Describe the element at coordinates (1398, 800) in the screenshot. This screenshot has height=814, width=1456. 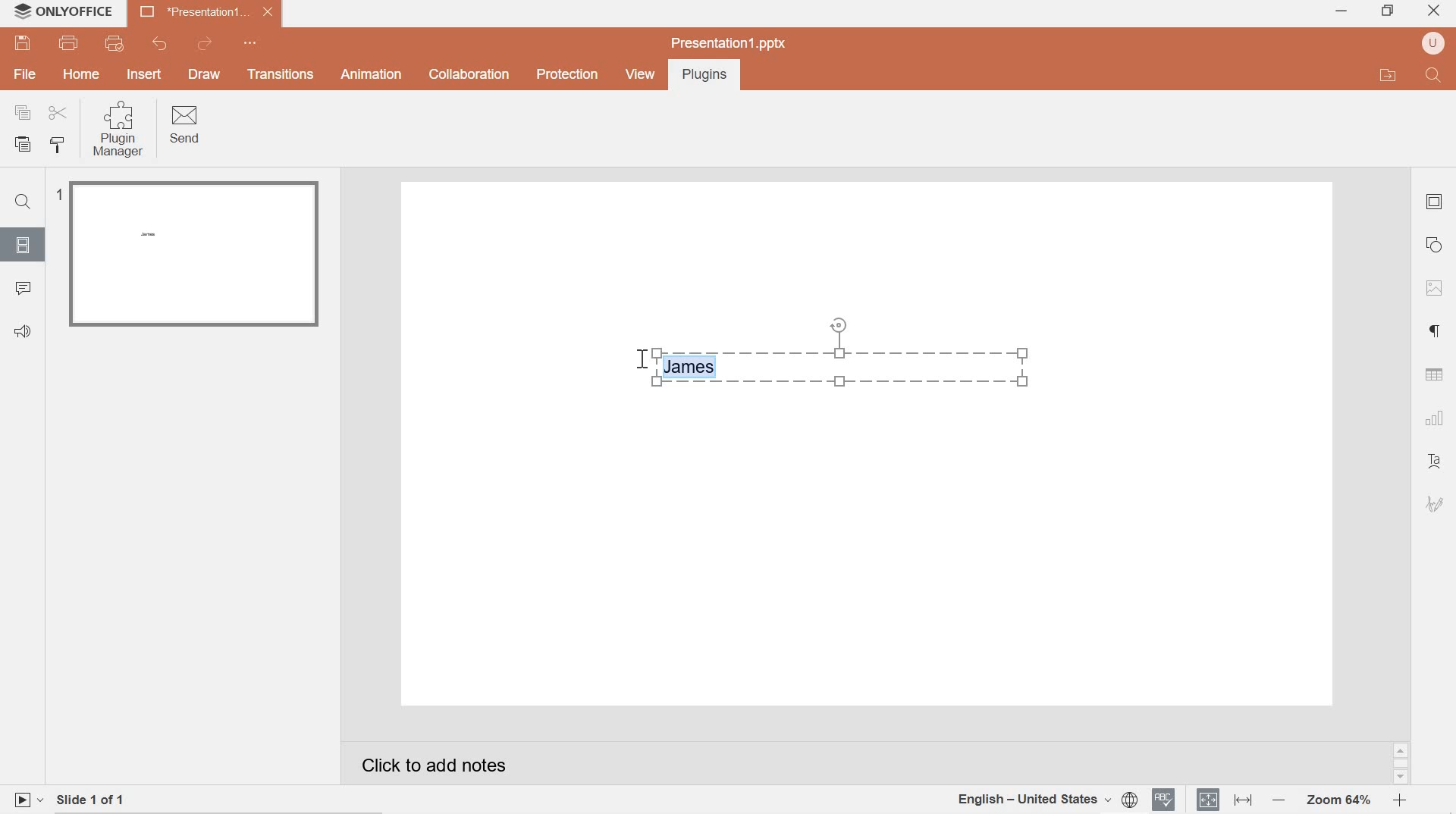
I see `zoom in` at that location.